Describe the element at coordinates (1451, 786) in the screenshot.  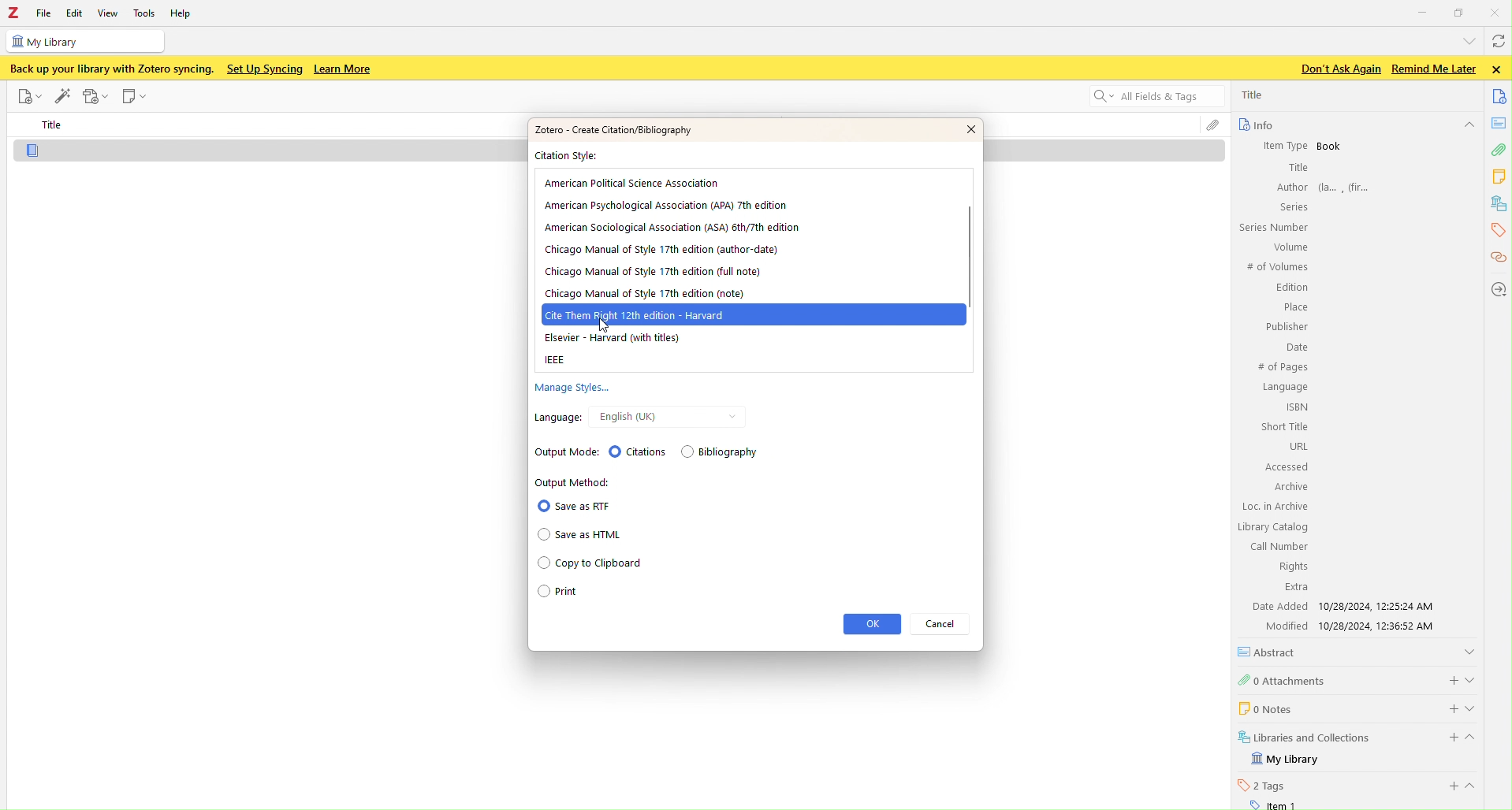
I see `add` at that location.